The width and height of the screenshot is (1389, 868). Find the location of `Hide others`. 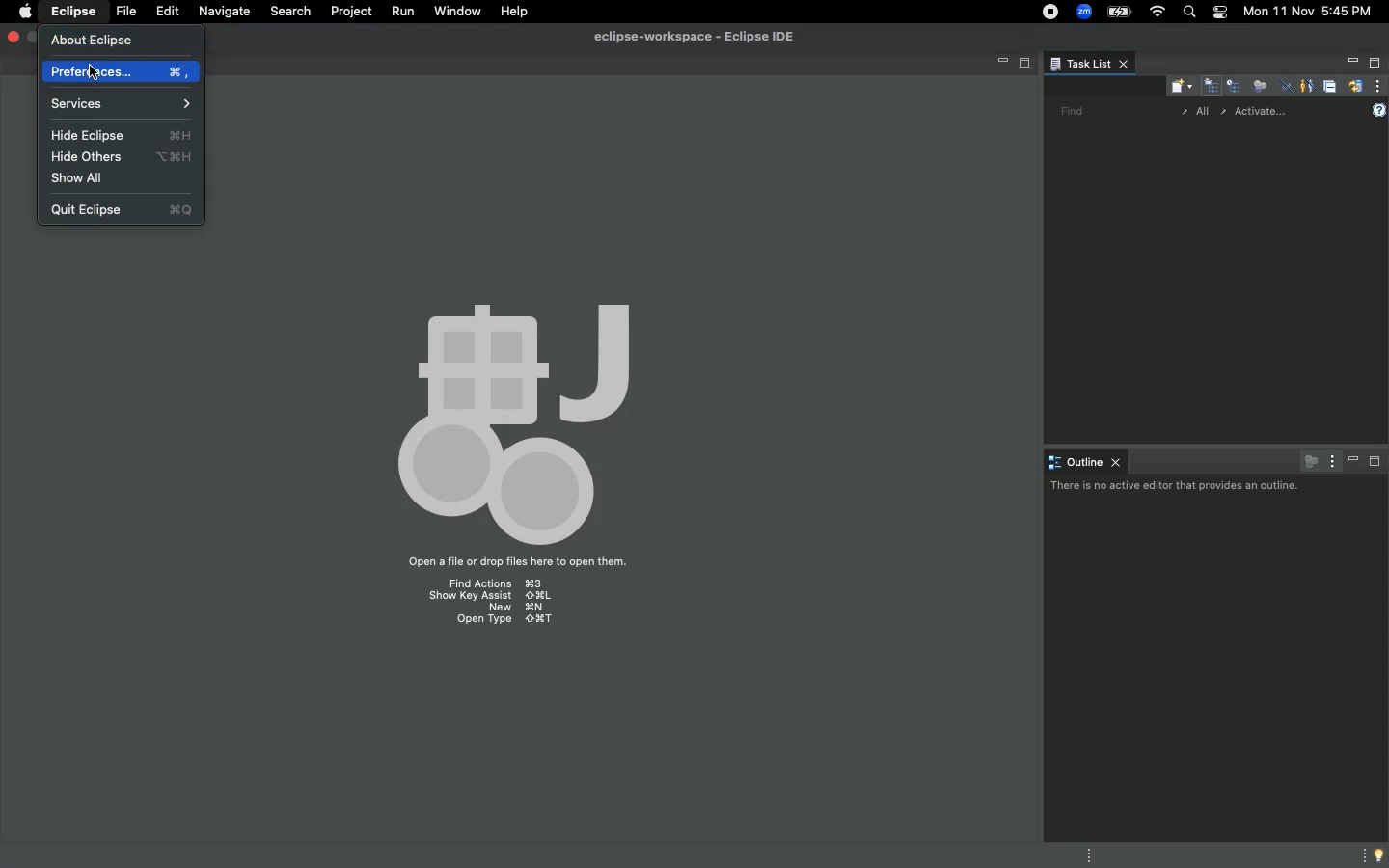

Hide others is located at coordinates (125, 157).